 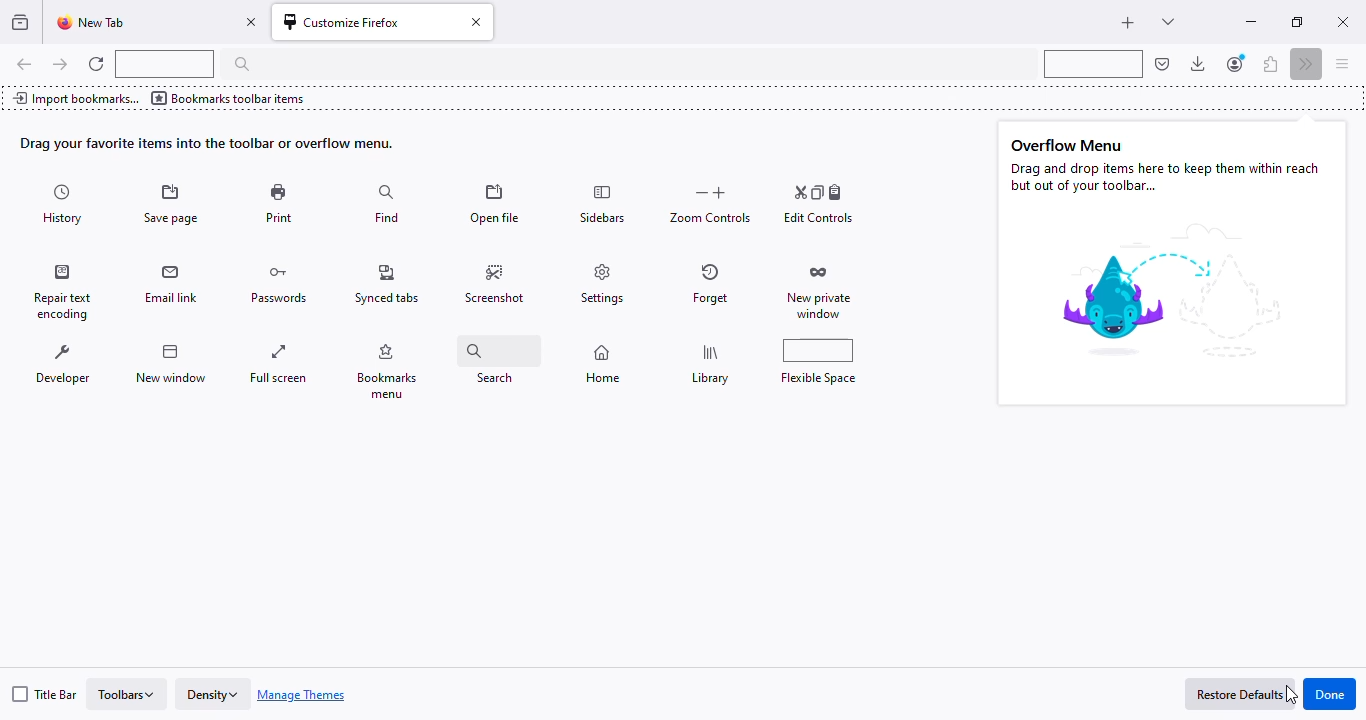 I want to click on flexible space, so click(x=164, y=64).